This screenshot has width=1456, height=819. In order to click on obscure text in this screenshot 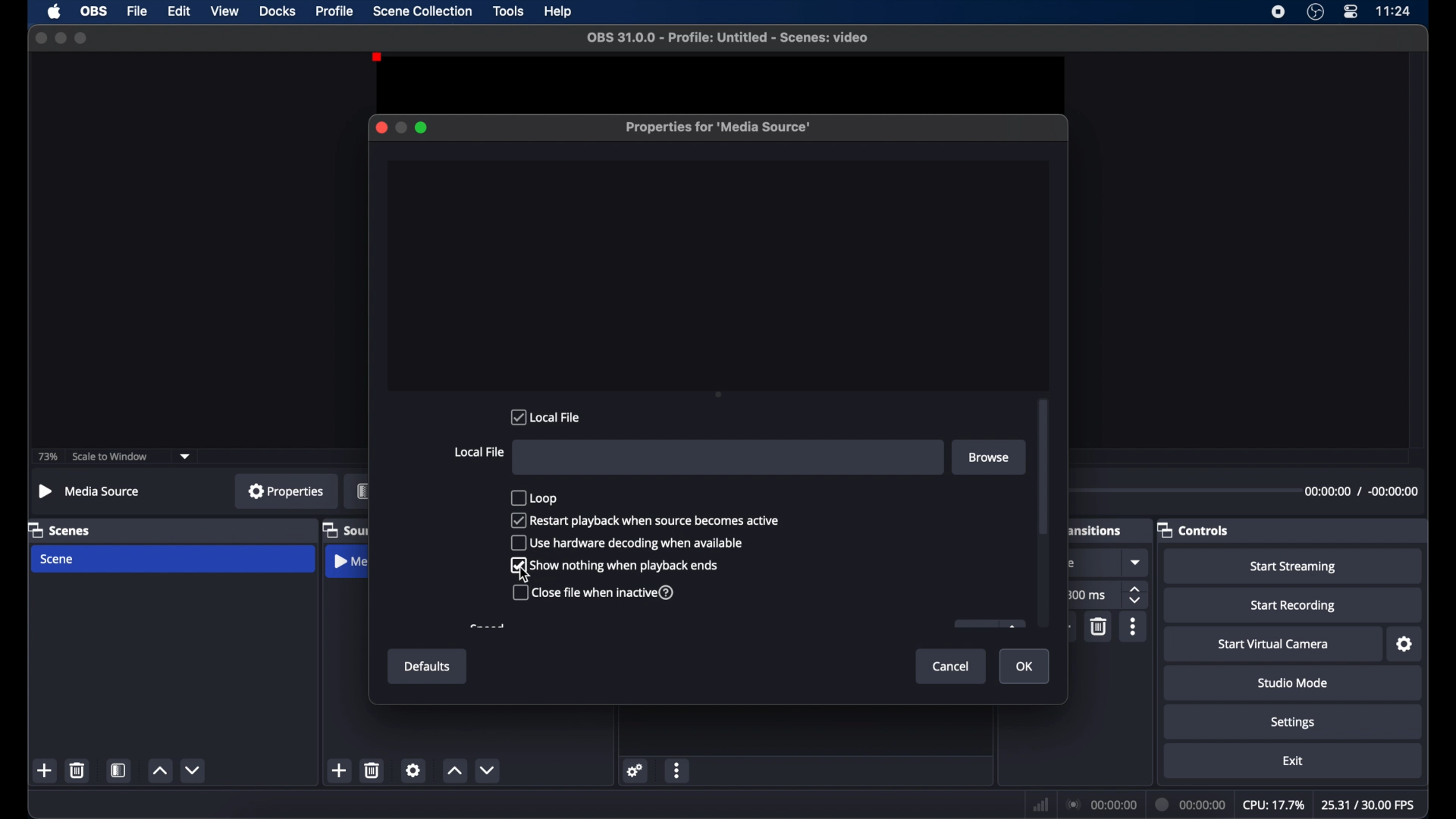, I will do `click(486, 626)`.